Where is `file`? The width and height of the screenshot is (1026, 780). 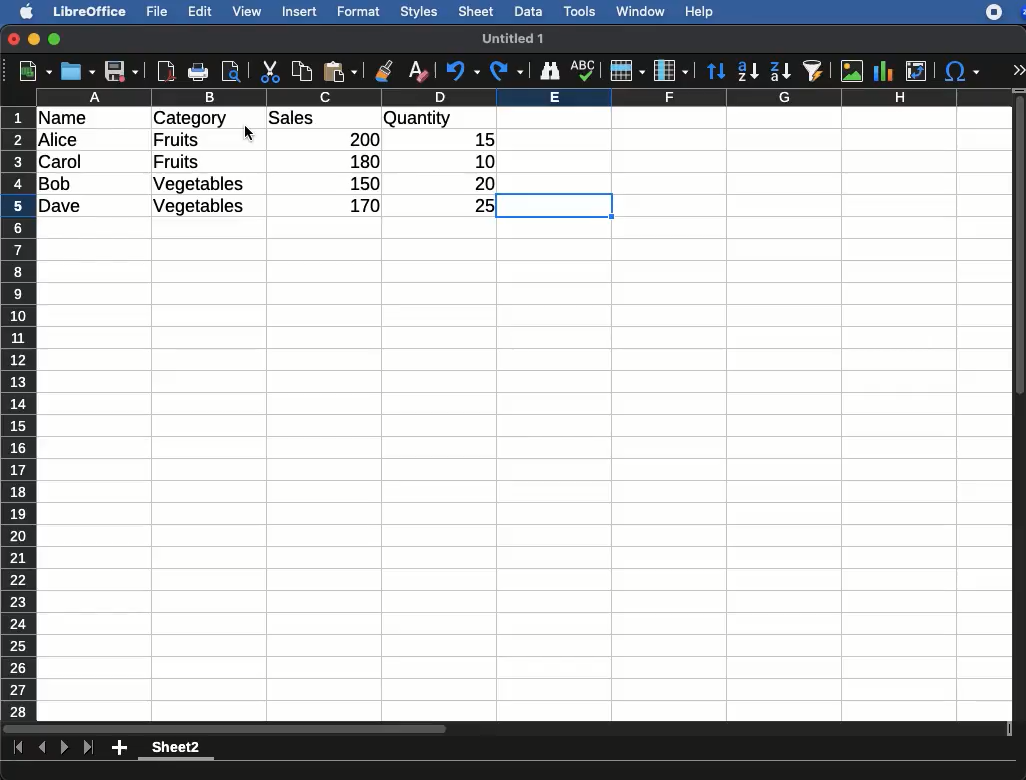
file is located at coordinates (154, 12).